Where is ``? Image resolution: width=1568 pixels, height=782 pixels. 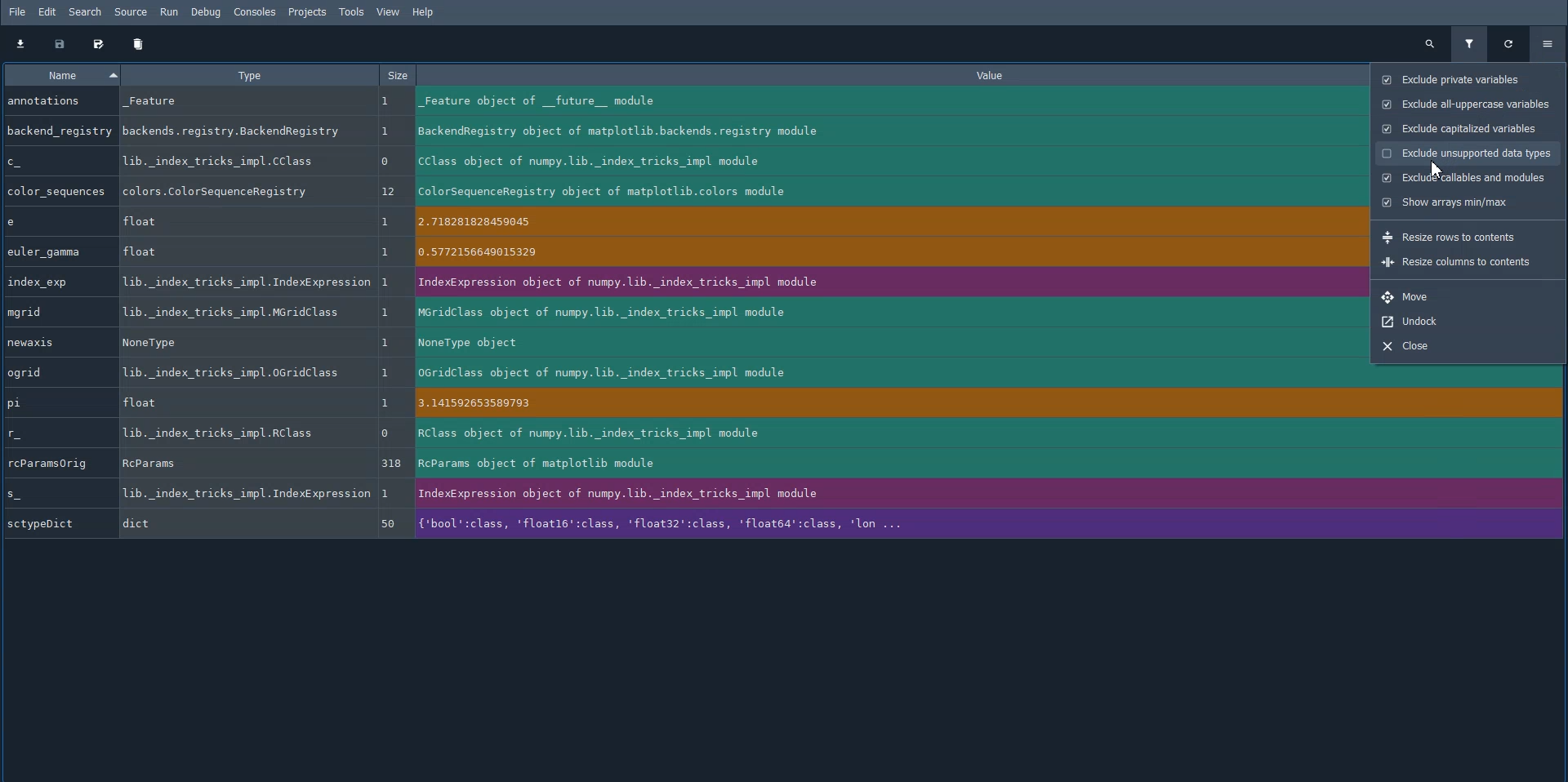
 is located at coordinates (386, 251).